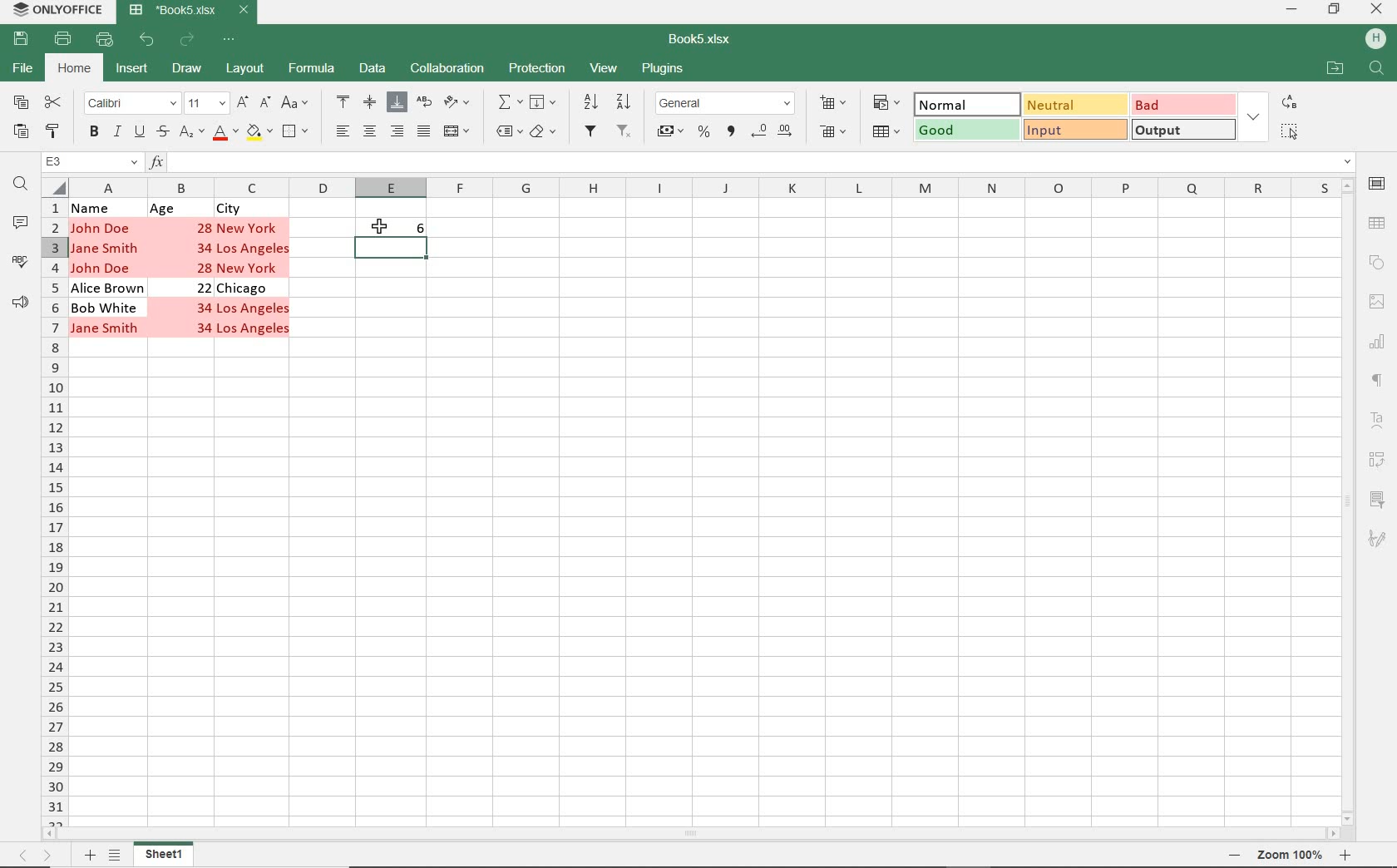  I want to click on ACCOUNT STYLE, so click(670, 132).